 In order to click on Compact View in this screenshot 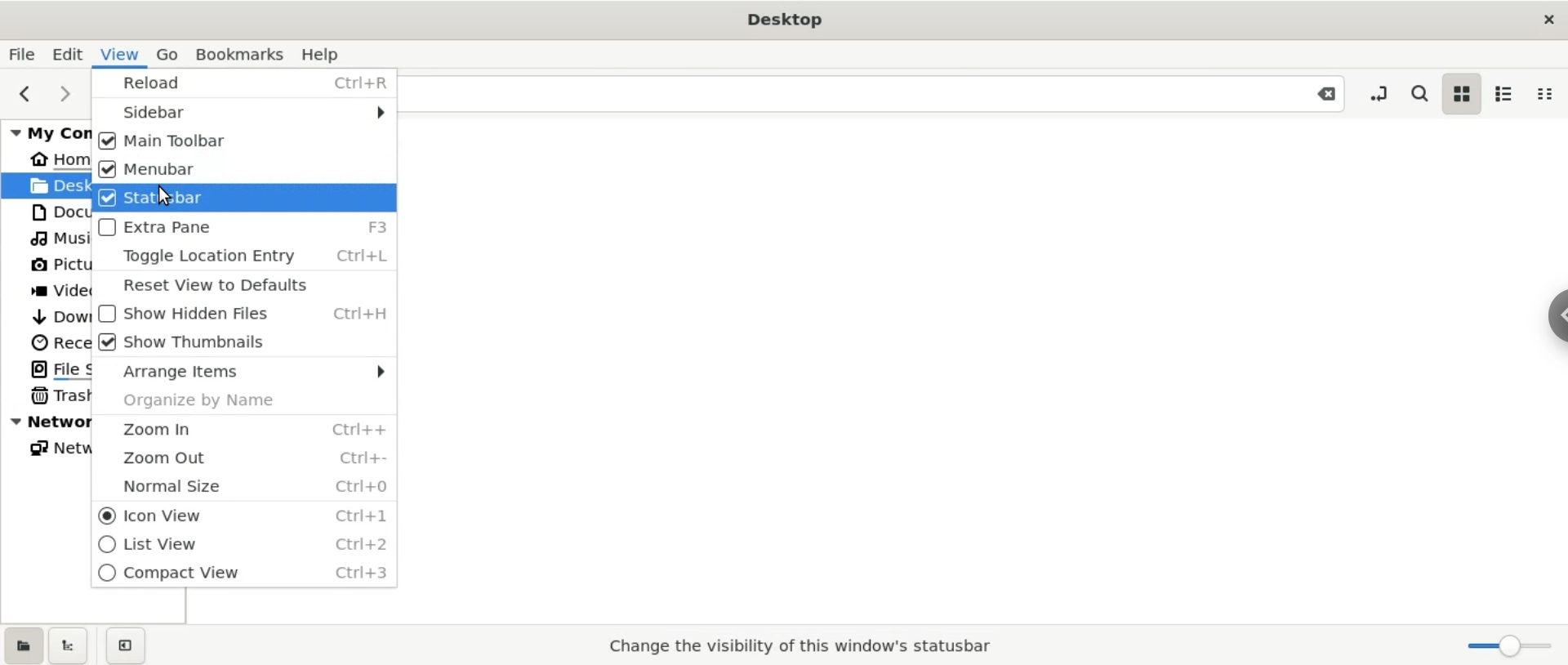, I will do `click(247, 578)`.